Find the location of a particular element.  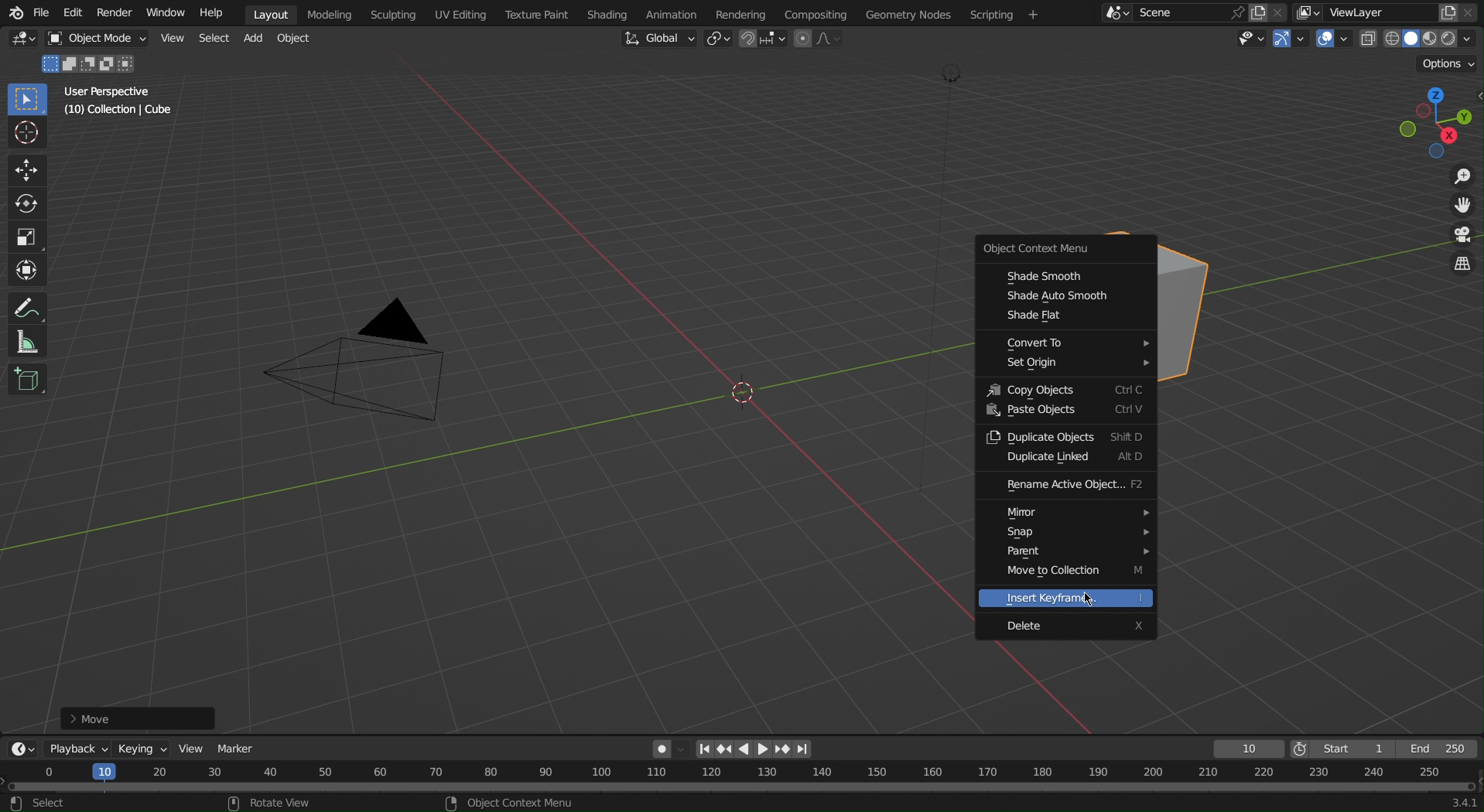

UV Editing is located at coordinates (460, 14).